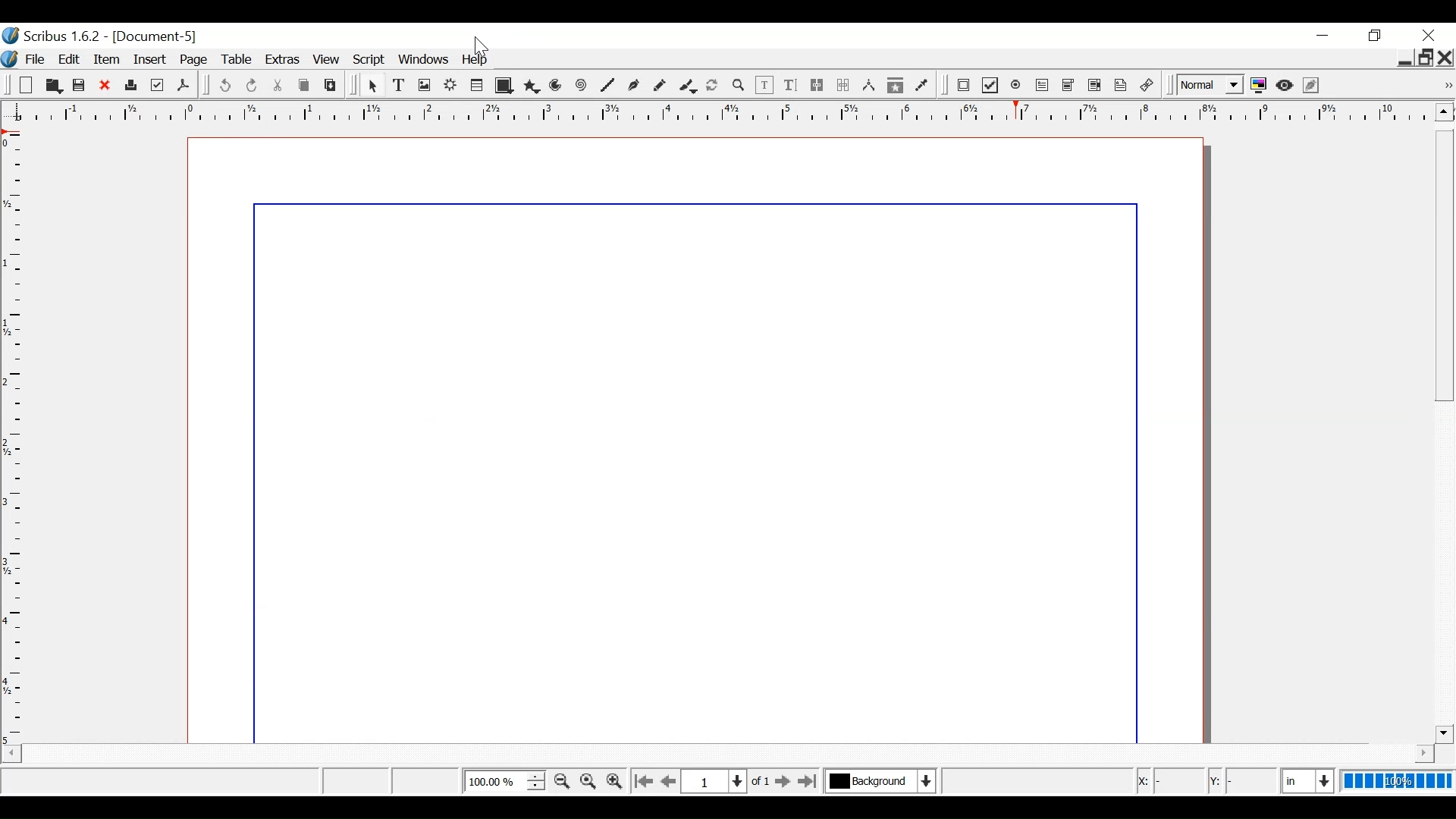 The image size is (1456, 819). What do you see at coordinates (880, 780) in the screenshot?
I see `Current layer` at bounding box center [880, 780].